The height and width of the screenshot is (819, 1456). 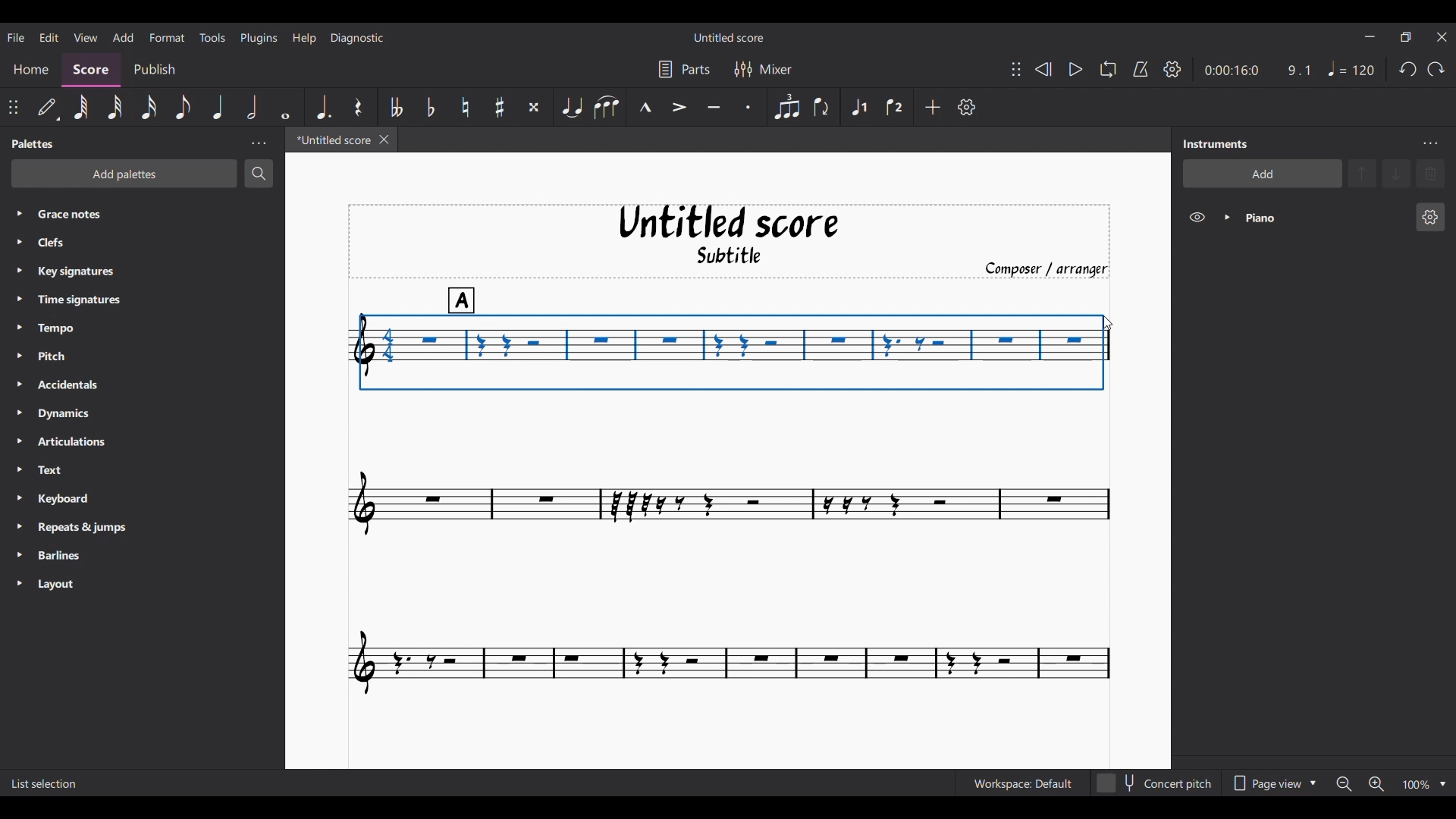 I want to click on Help menu, so click(x=306, y=38).